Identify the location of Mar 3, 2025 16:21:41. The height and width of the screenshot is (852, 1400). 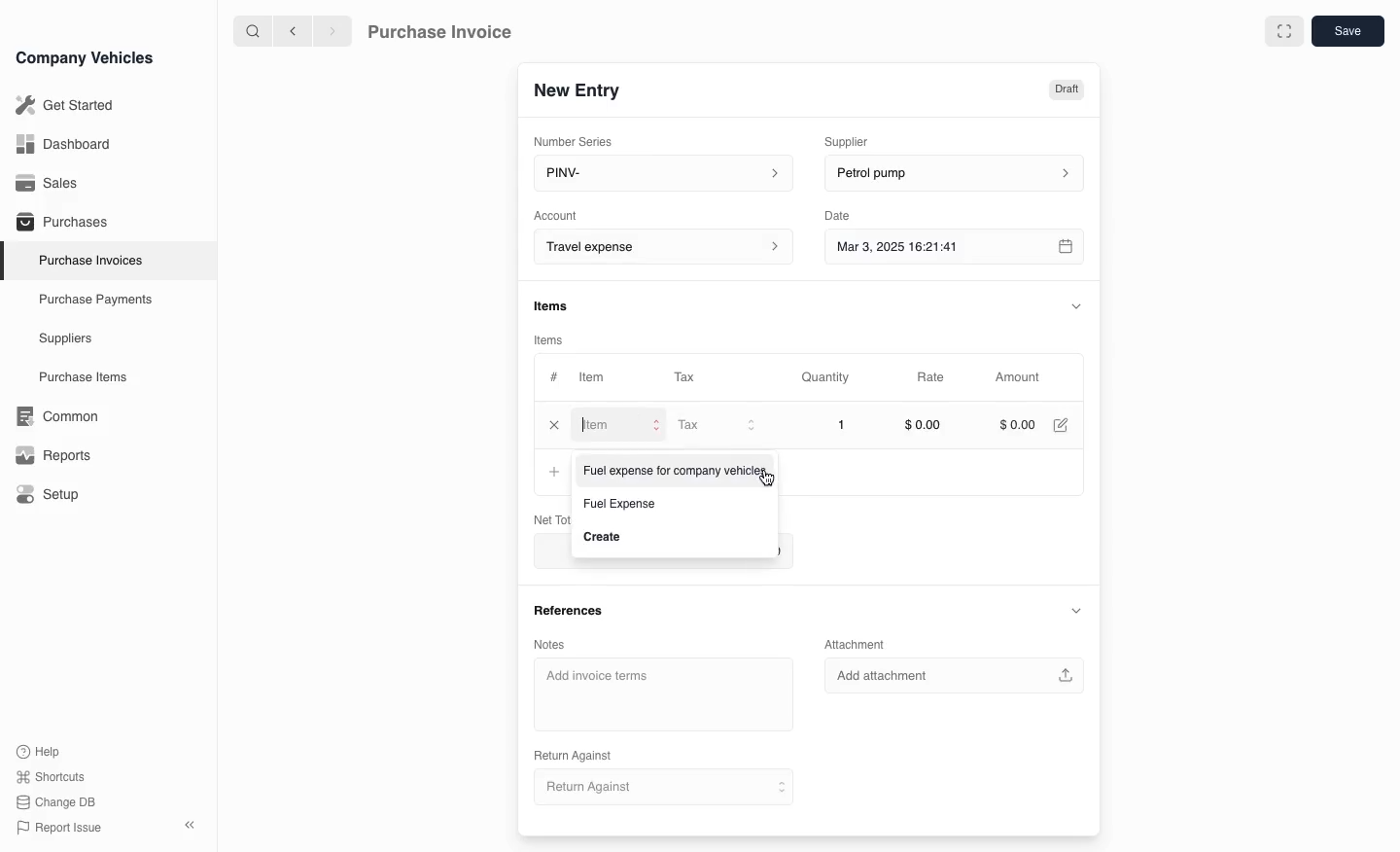
(935, 248).